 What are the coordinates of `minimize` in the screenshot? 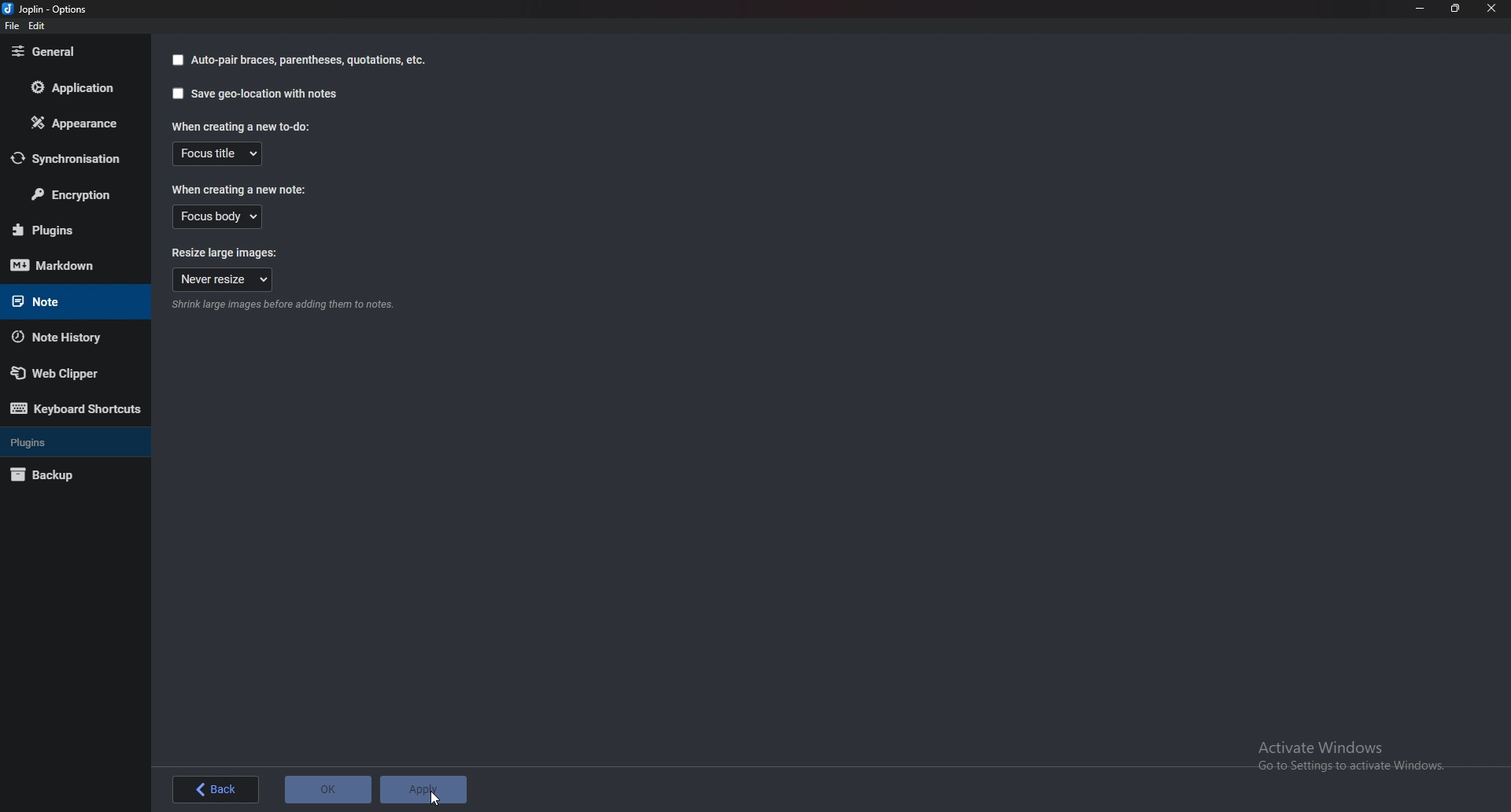 It's located at (1418, 9).